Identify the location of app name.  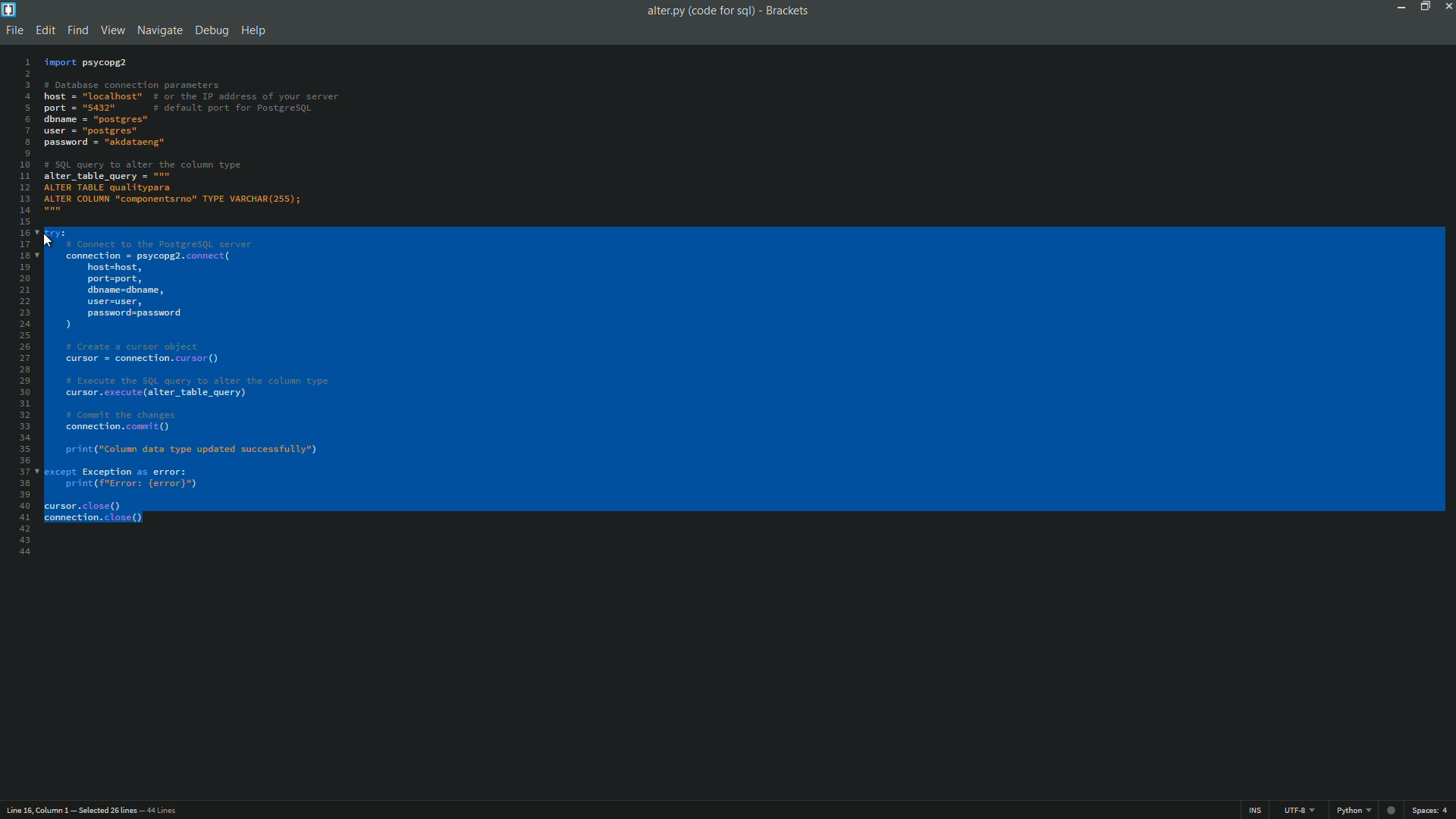
(790, 11).